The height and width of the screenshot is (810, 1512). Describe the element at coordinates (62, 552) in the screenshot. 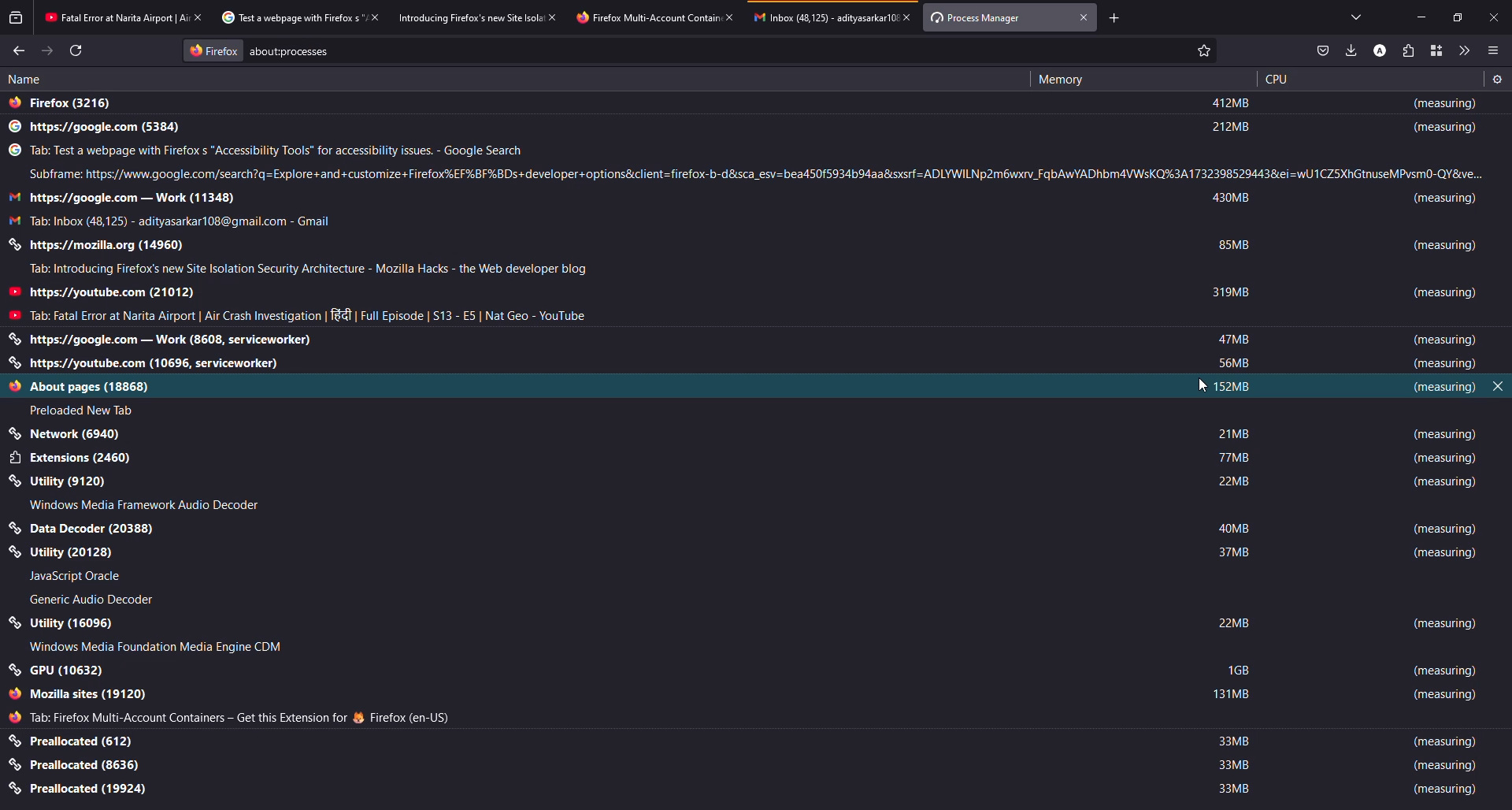

I see `Utility 20128` at that location.